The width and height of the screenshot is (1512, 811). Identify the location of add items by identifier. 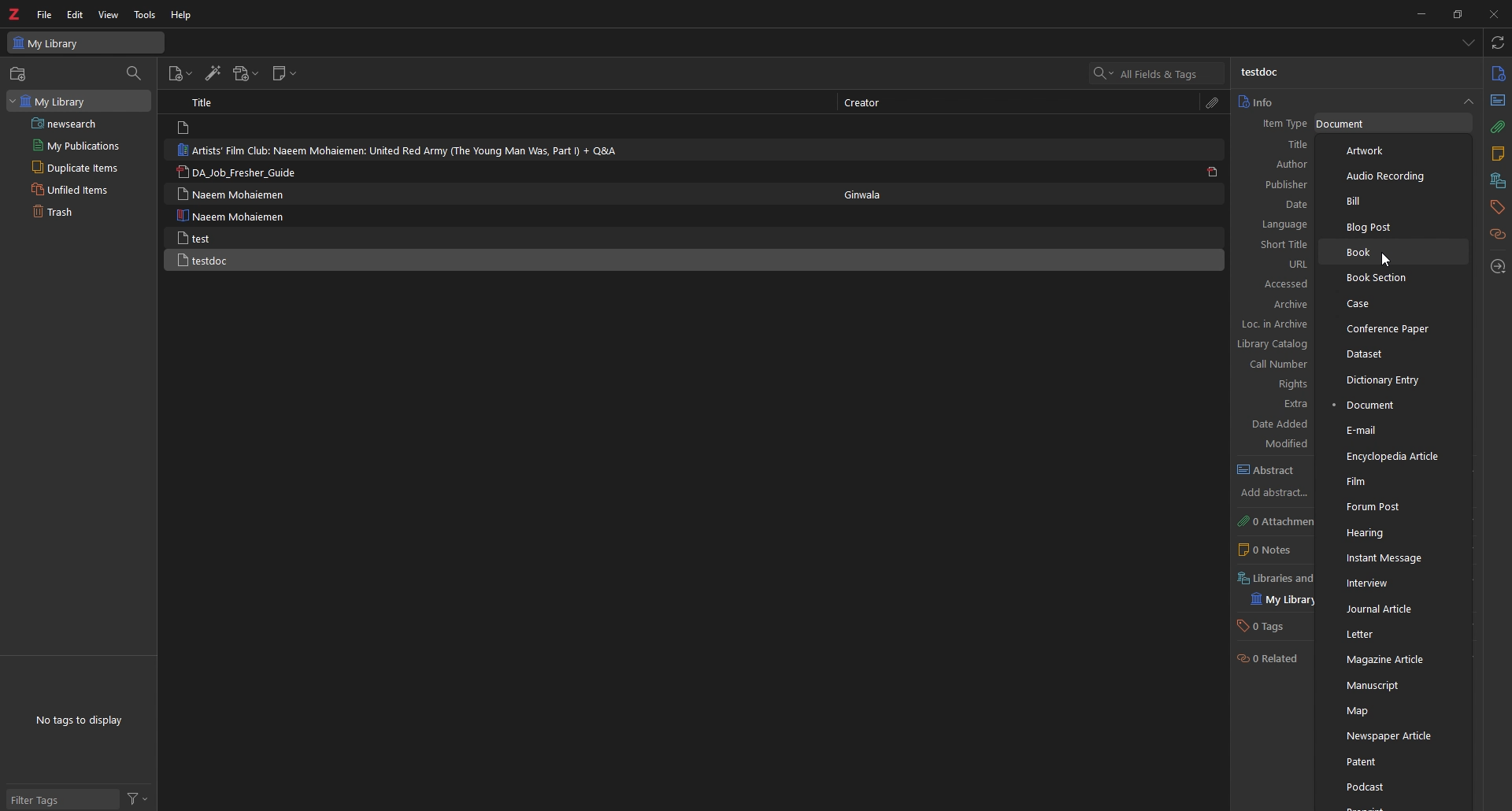
(212, 72).